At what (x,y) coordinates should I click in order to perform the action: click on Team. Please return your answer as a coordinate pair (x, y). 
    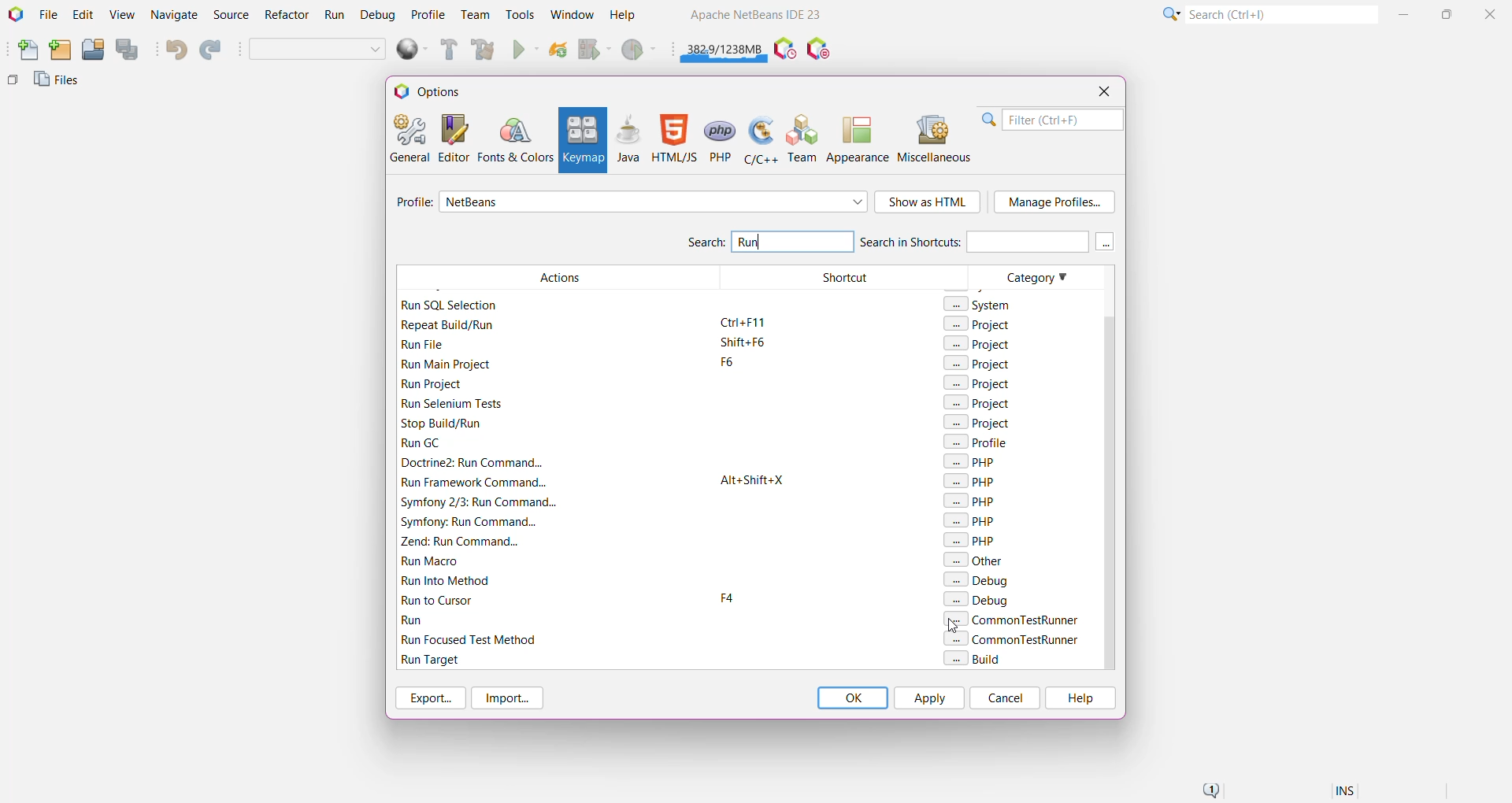
    Looking at the image, I should click on (803, 139).